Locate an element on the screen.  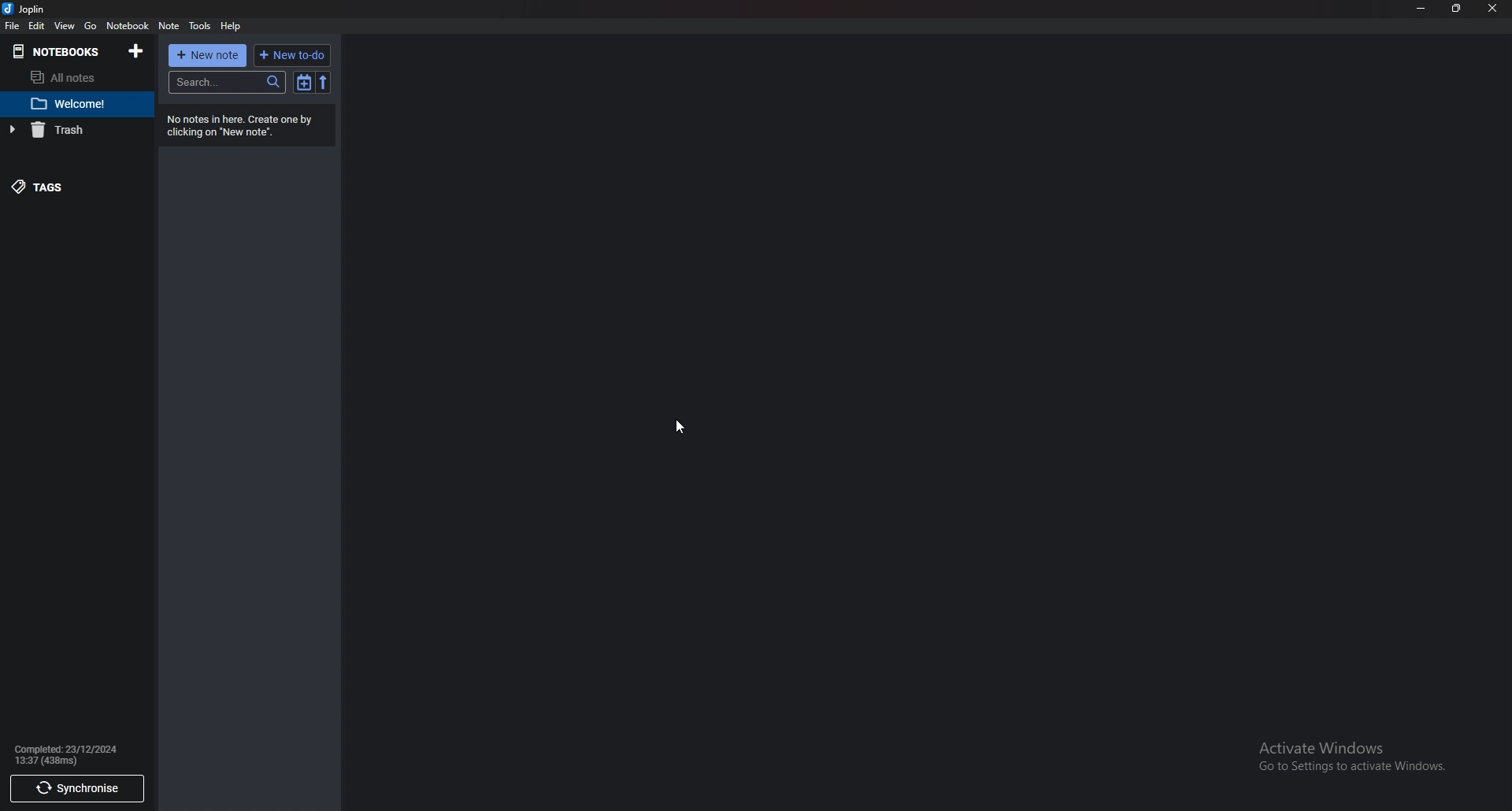
edit is located at coordinates (38, 26).